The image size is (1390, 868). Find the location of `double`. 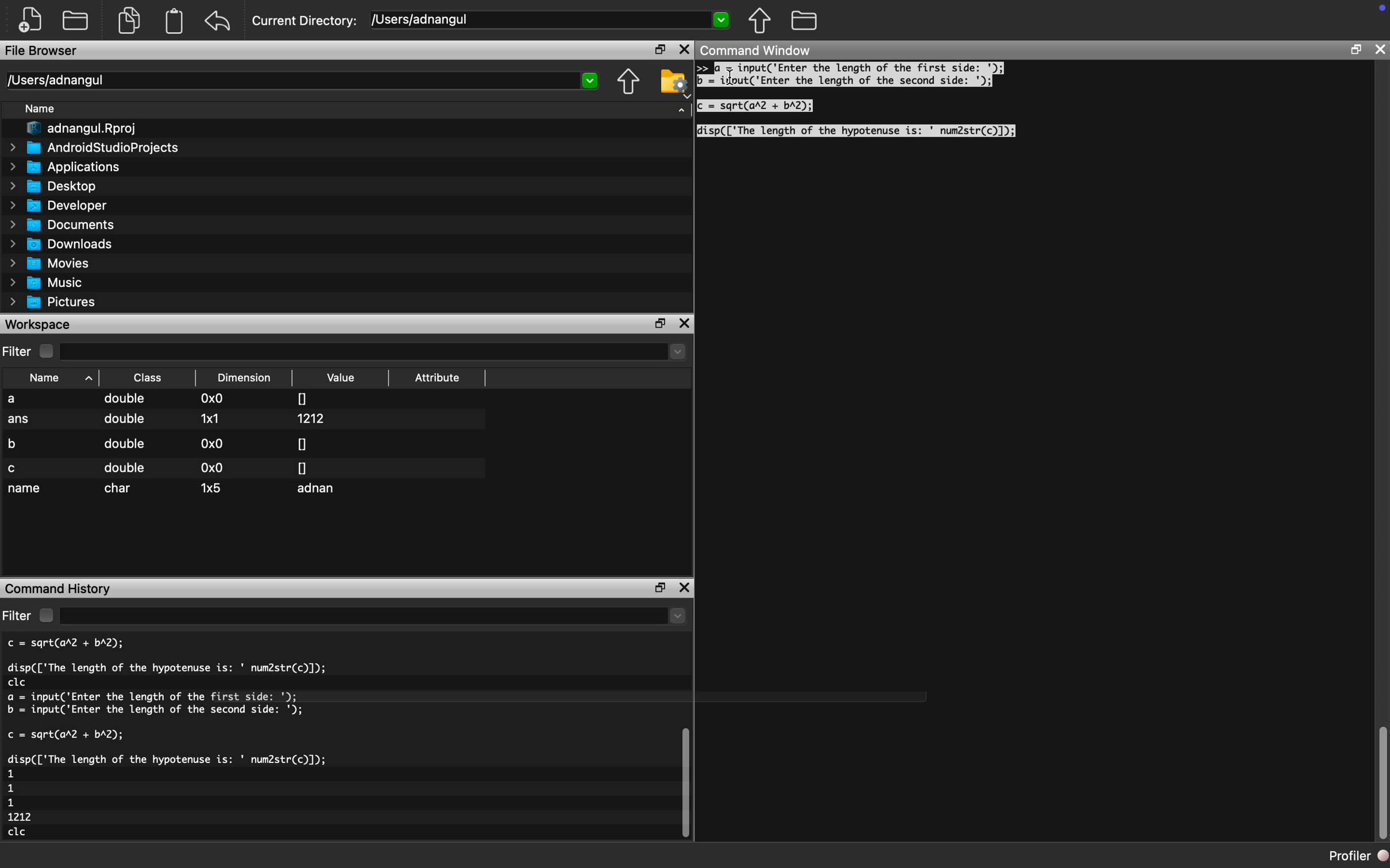

double is located at coordinates (123, 423).